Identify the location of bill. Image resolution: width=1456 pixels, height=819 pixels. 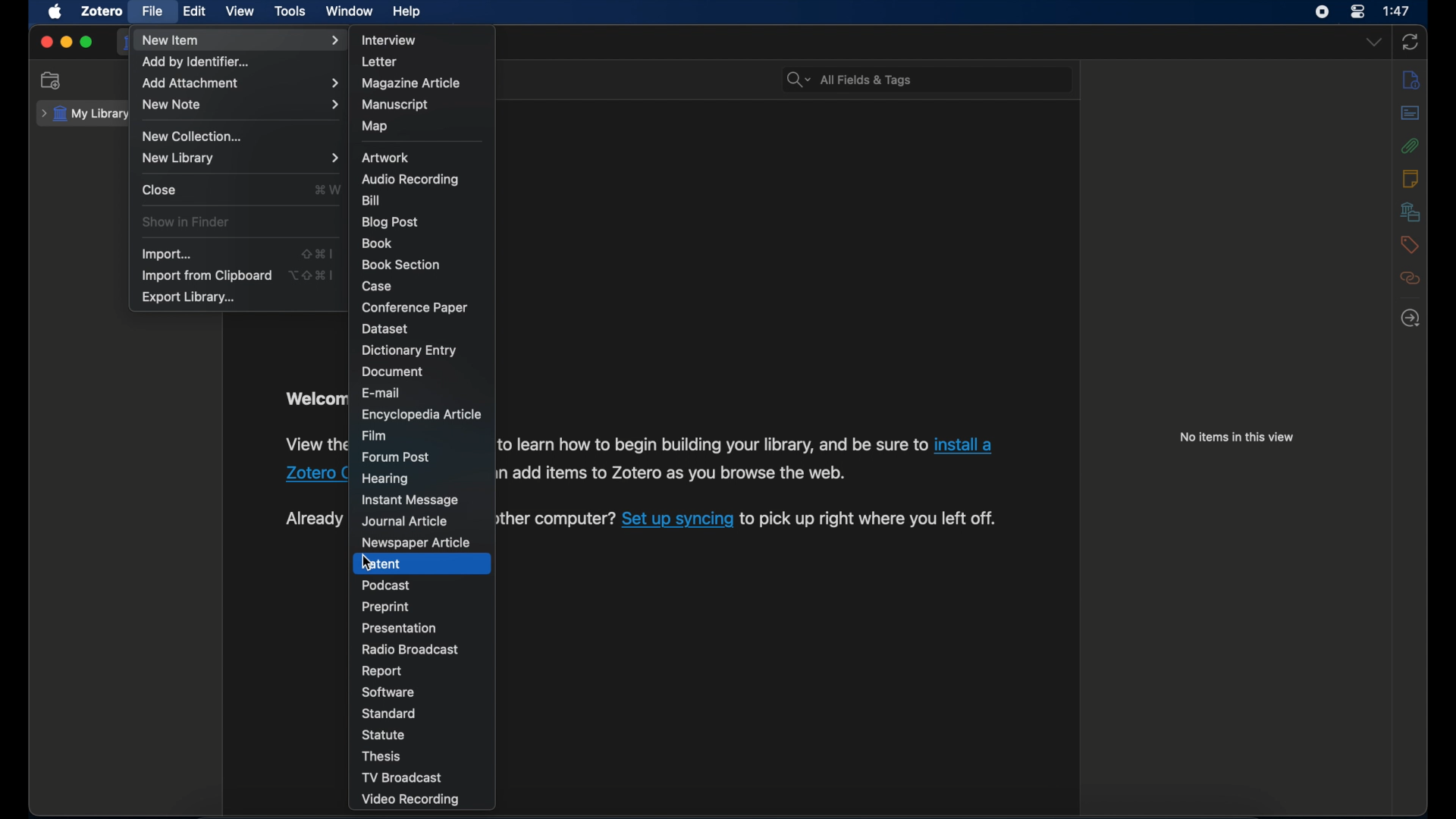
(372, 199).